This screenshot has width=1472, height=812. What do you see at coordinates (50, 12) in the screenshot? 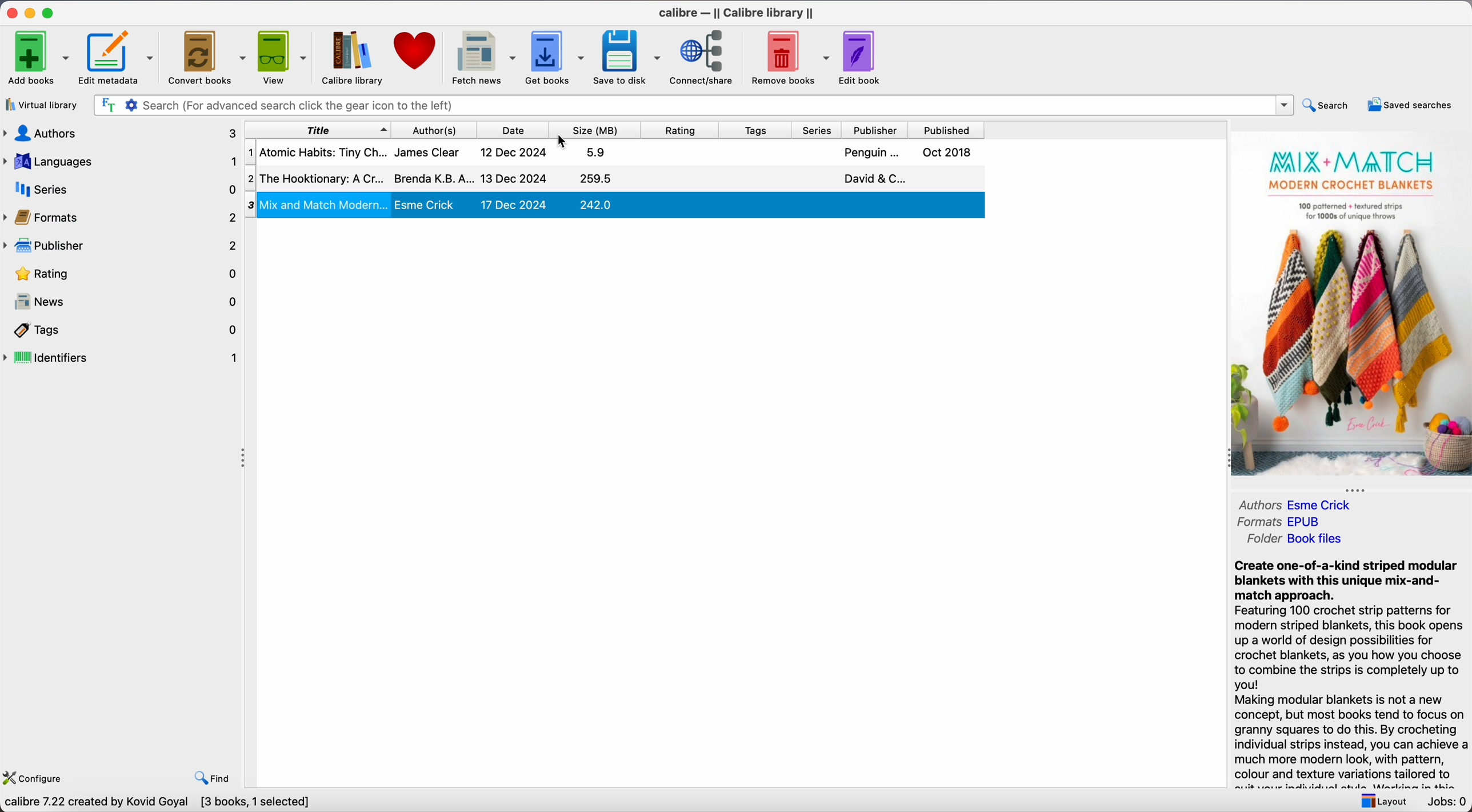
I see `maximize` at bounding box center [50, 12].